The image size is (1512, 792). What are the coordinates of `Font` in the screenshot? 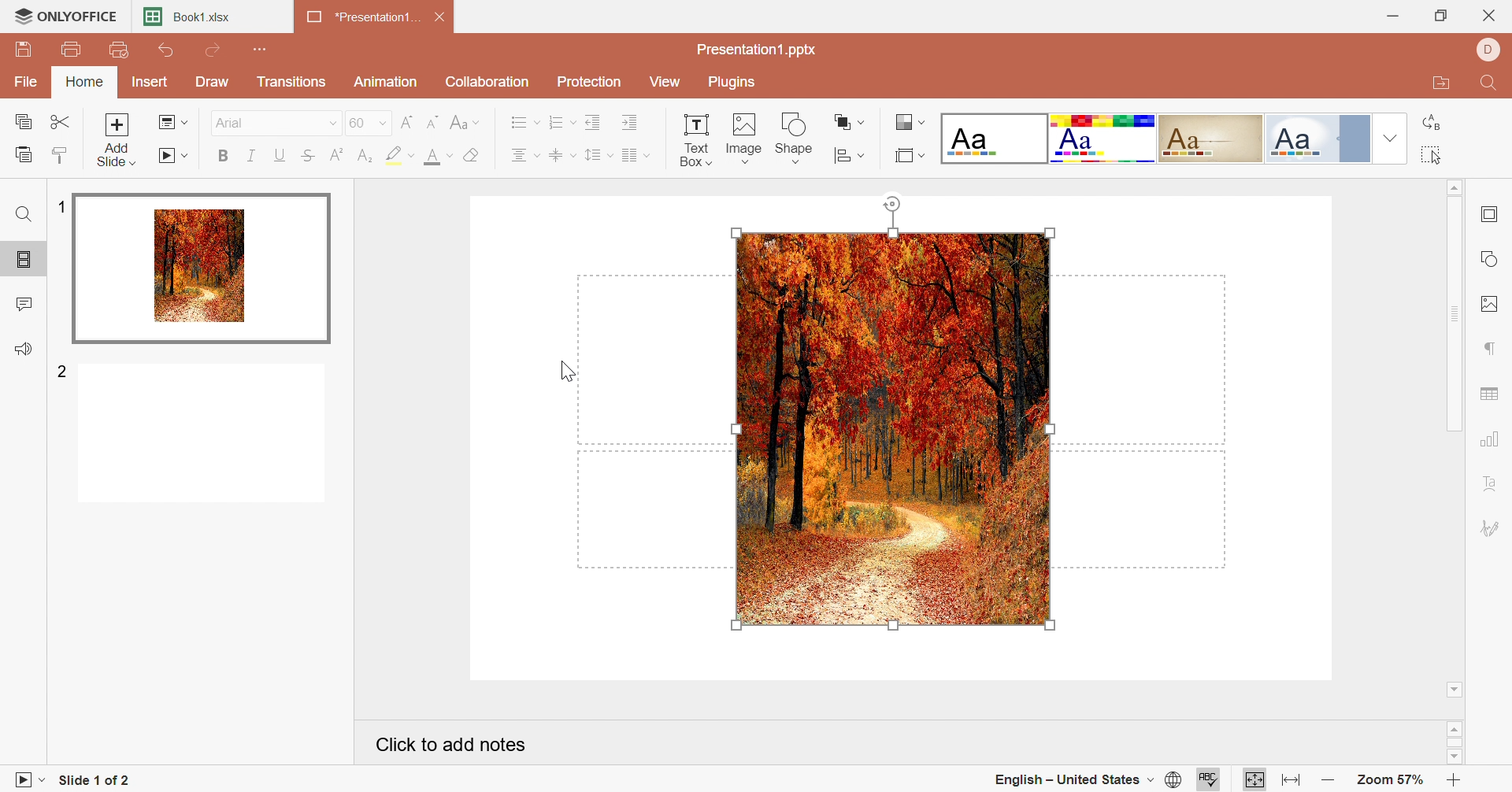 It's located at (231, 121).